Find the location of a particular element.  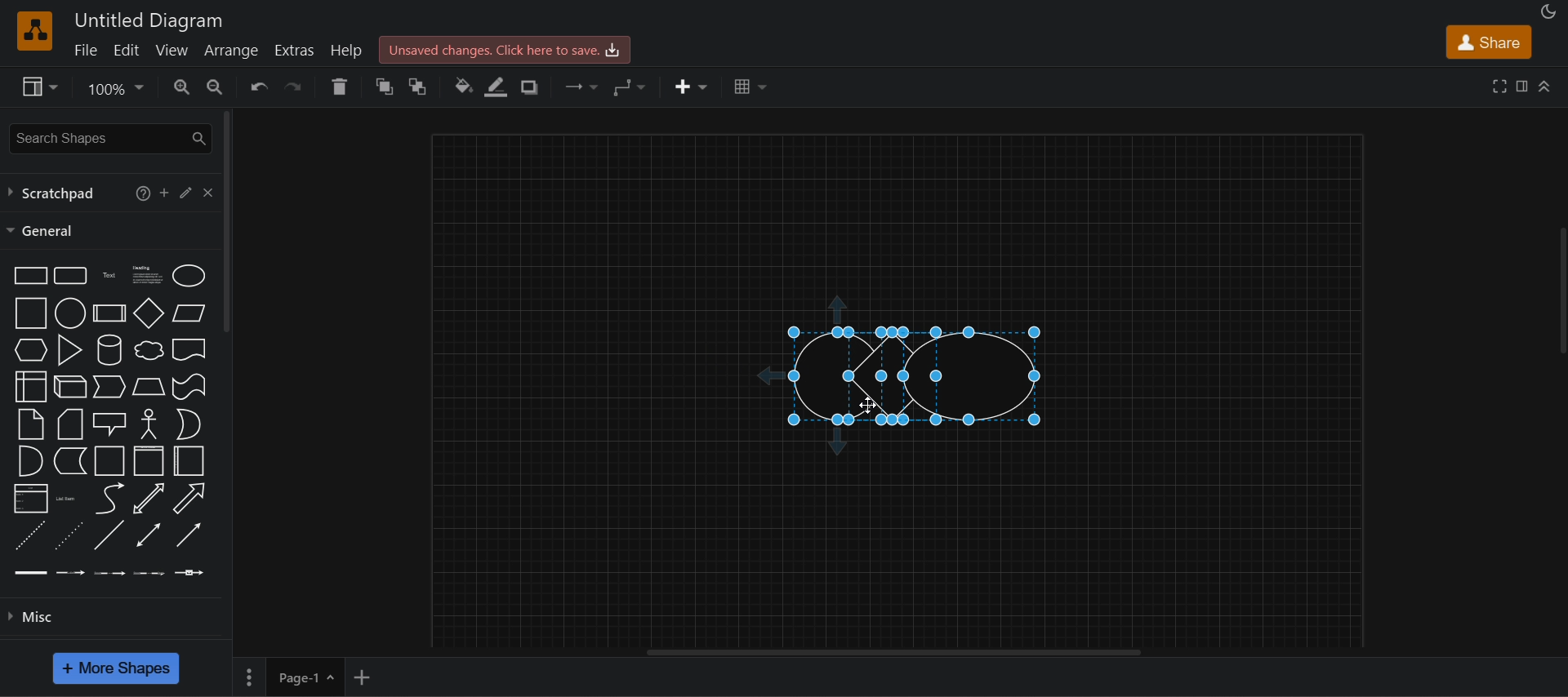

redo is located at coordinates (297, 87).